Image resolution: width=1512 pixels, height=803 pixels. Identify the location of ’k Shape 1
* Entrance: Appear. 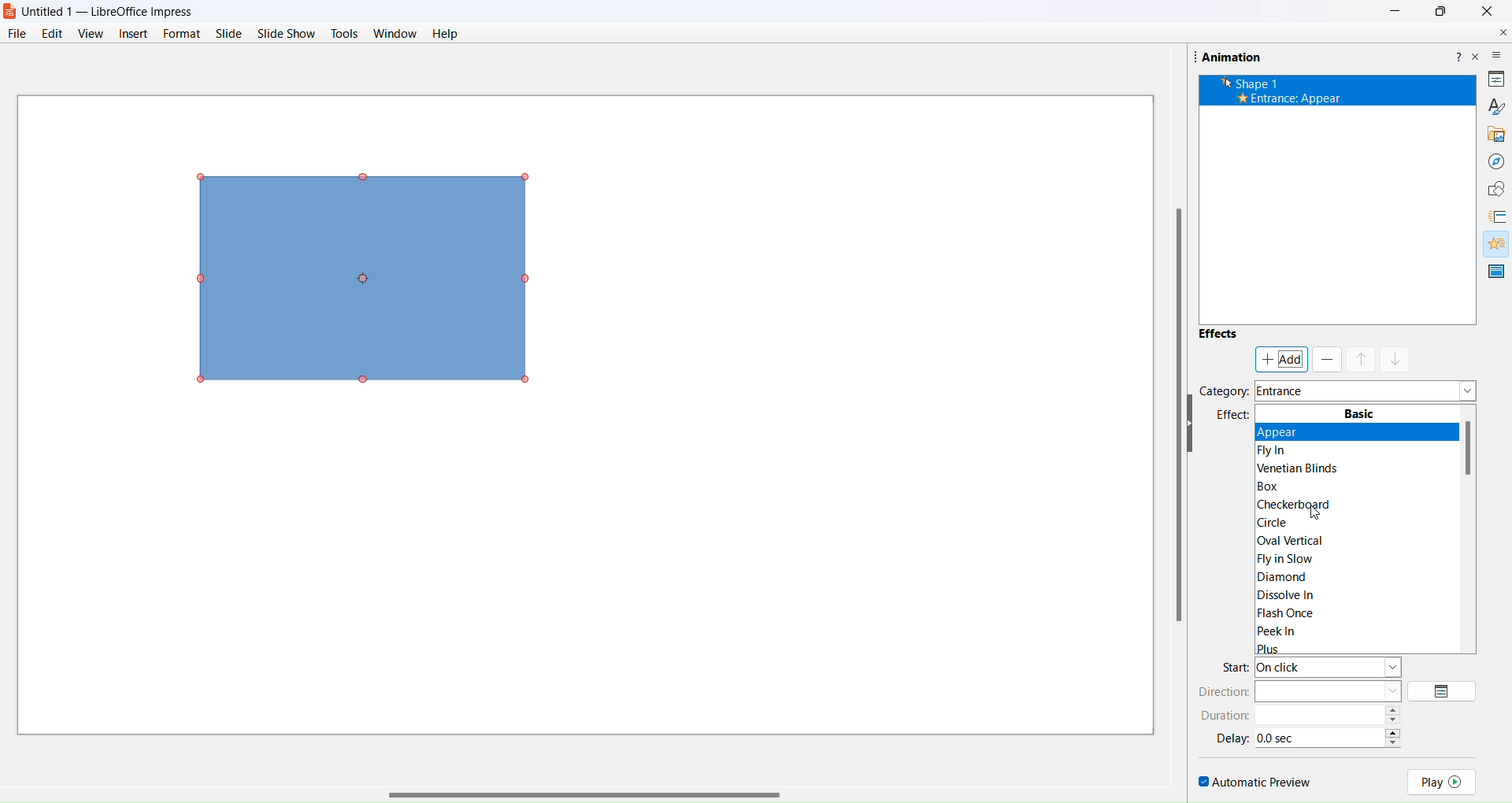
(1281, 91).